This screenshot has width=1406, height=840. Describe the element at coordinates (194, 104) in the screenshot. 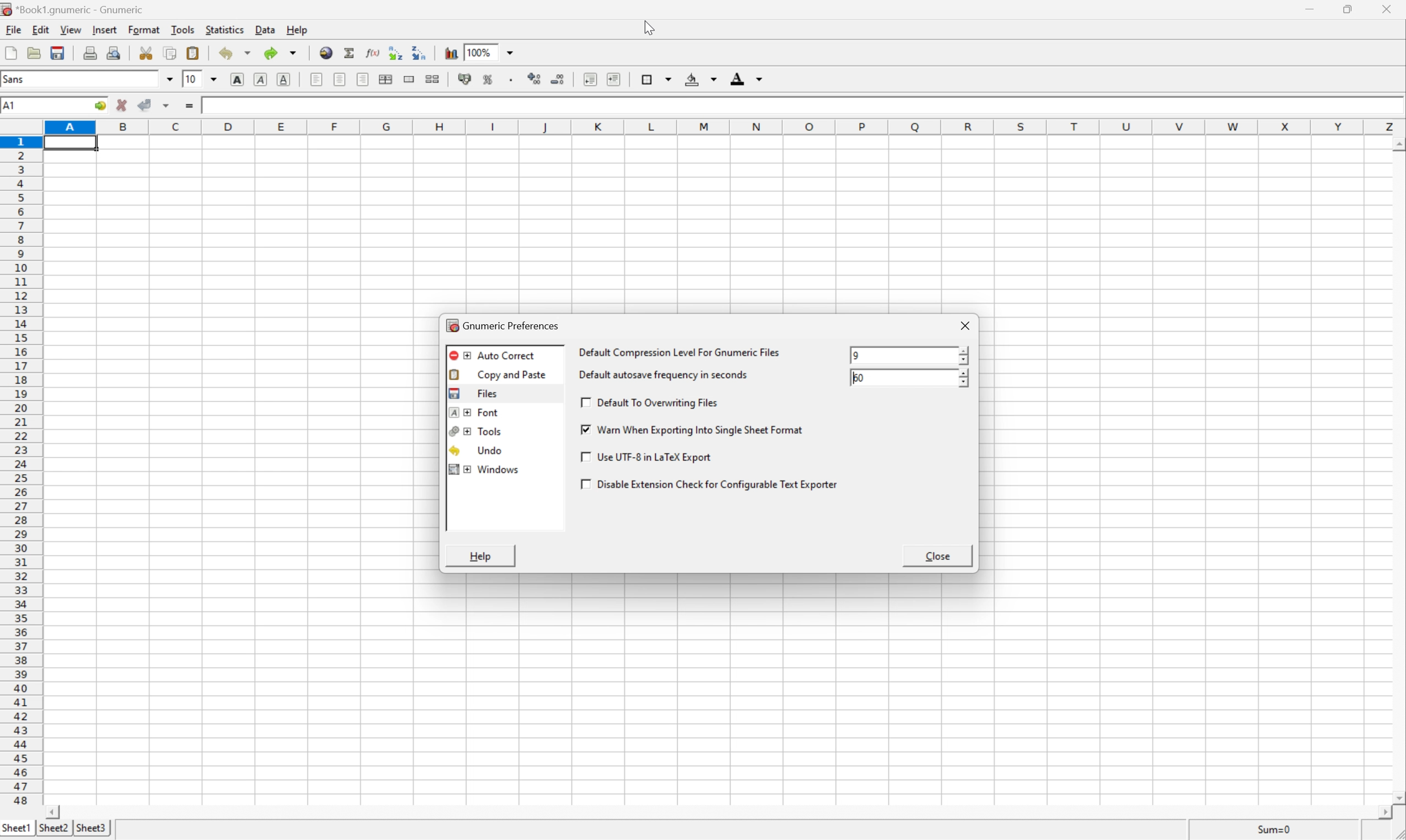

I see `enter formula` at that location.